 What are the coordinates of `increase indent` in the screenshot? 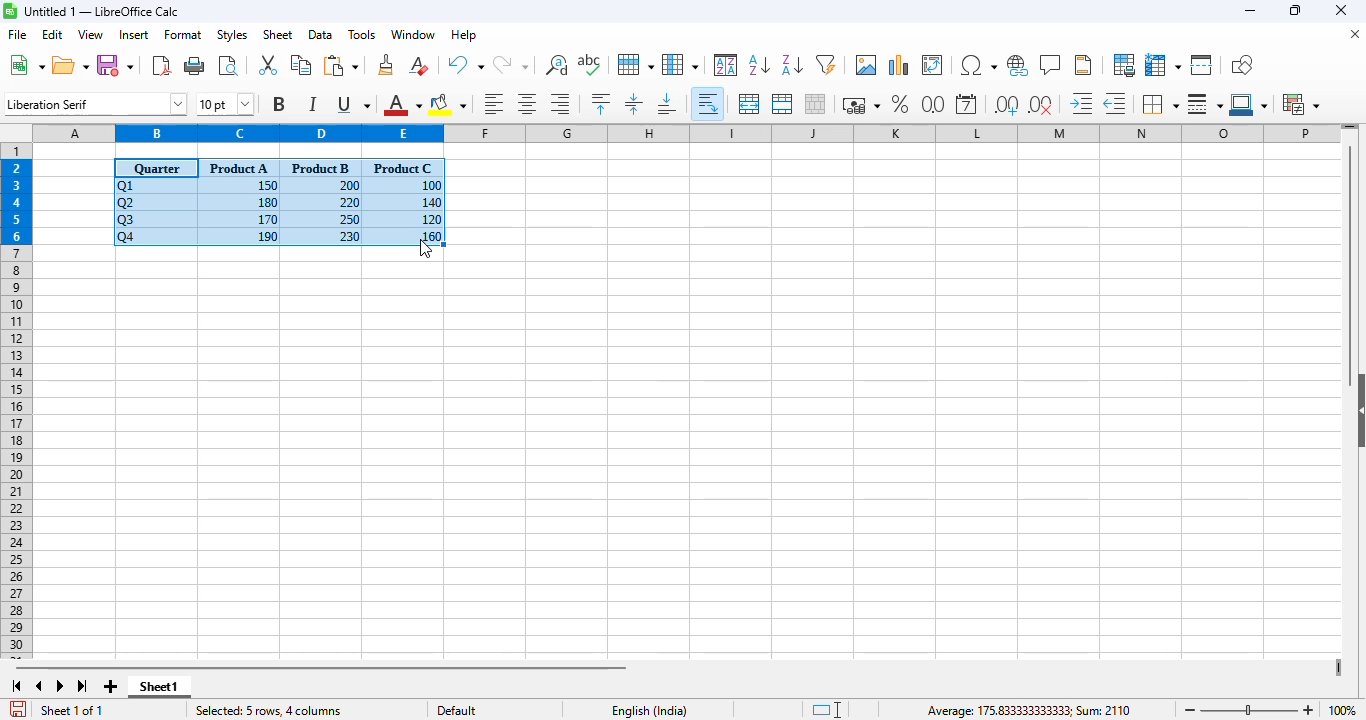 It's located at (1082, 103).